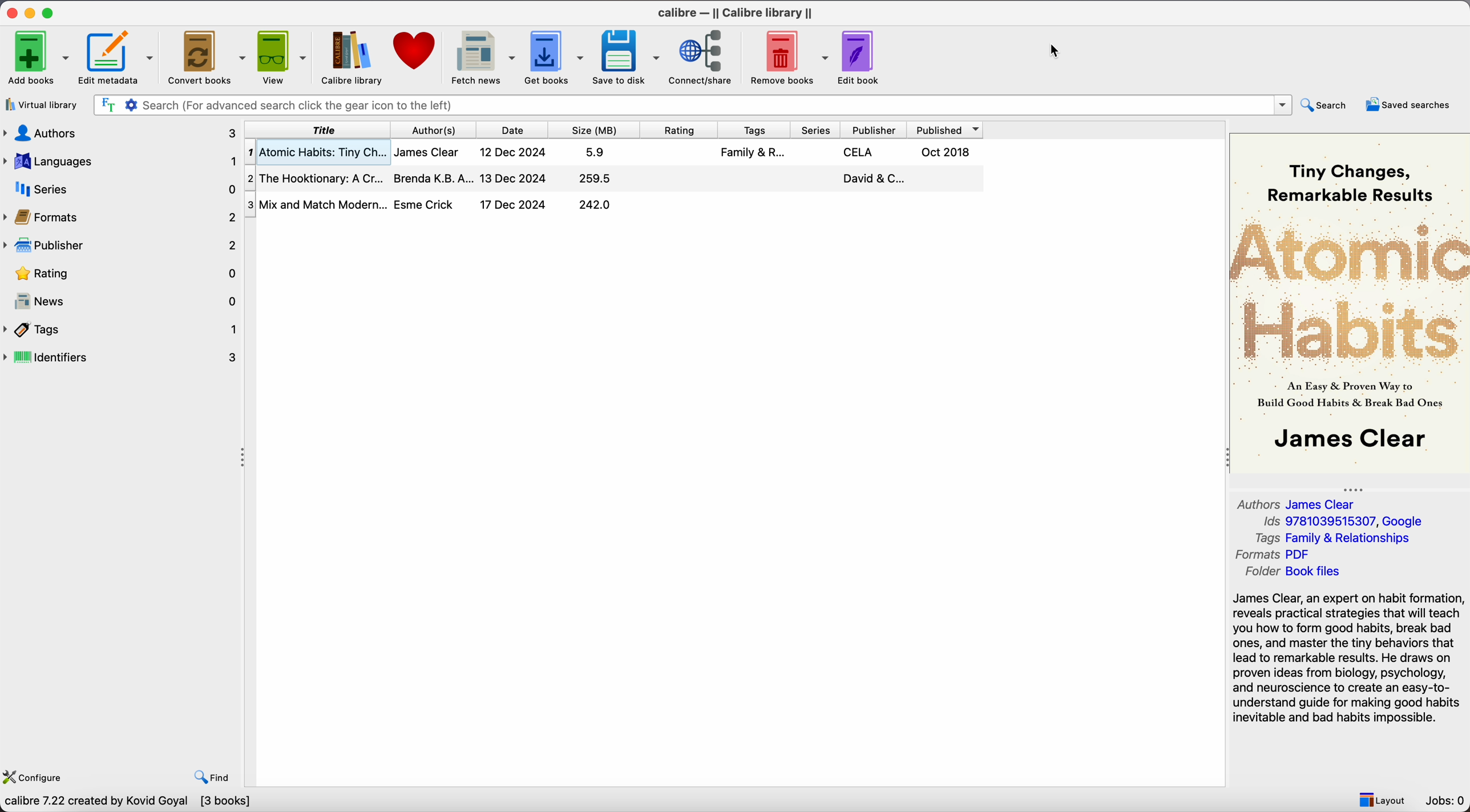 The height and width of the screenshot is (812, 1470). I want to click on 259.5, so click(595, 179).